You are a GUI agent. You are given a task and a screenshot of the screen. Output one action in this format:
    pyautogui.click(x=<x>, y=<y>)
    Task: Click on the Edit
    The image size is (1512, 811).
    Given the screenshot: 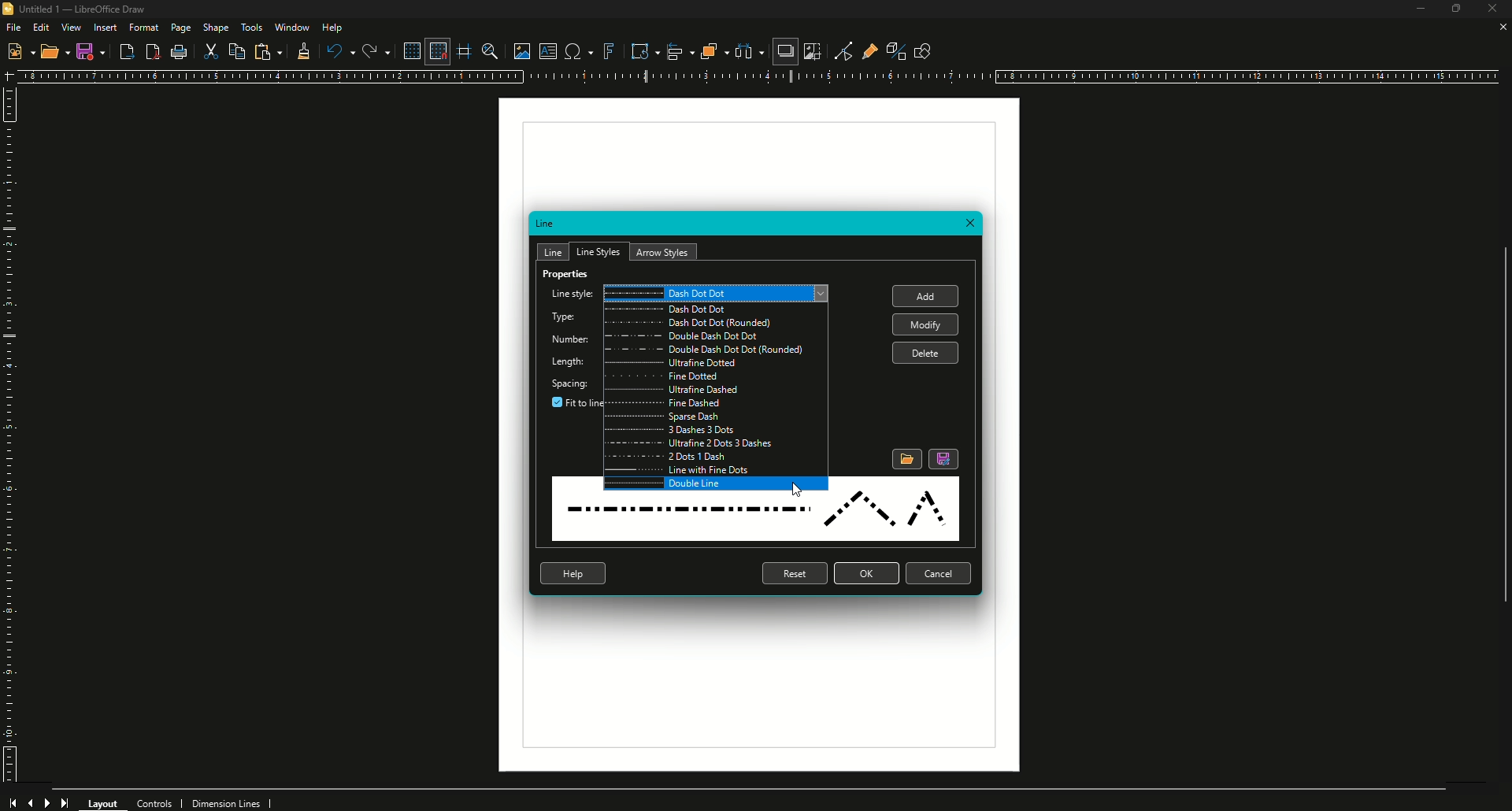 What is the action you would take?
    pyautogui.click(x=41, y=27)
    